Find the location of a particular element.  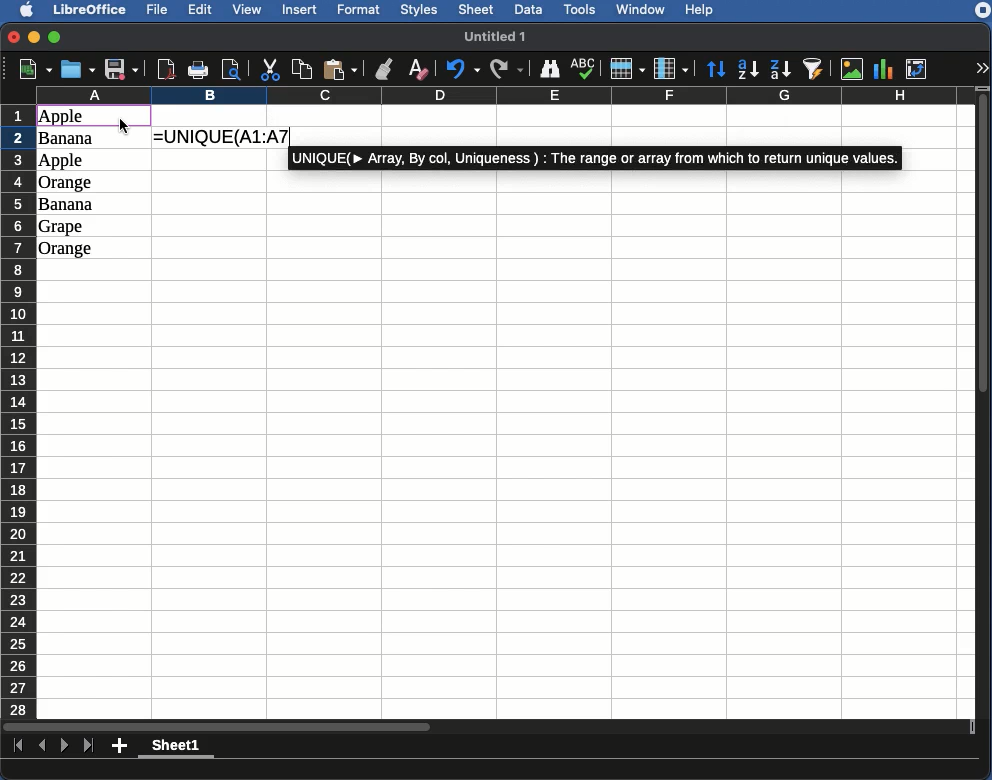

Column is located at coordinates (671, 68).